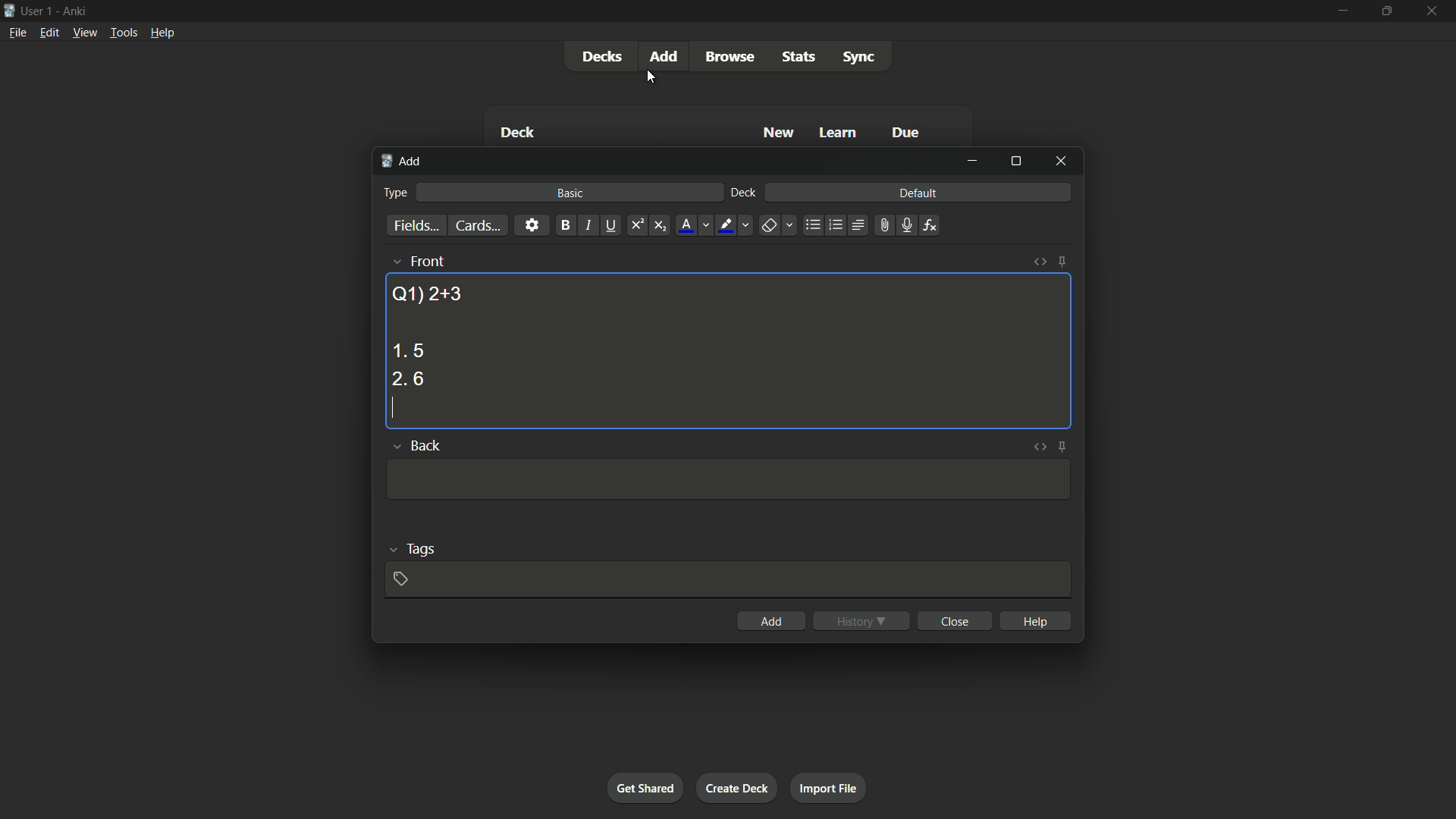 This screenshot has width=1456, height=819. Describe the element at coordinates (426, 261) in the screenshot. I see `front` at that location.